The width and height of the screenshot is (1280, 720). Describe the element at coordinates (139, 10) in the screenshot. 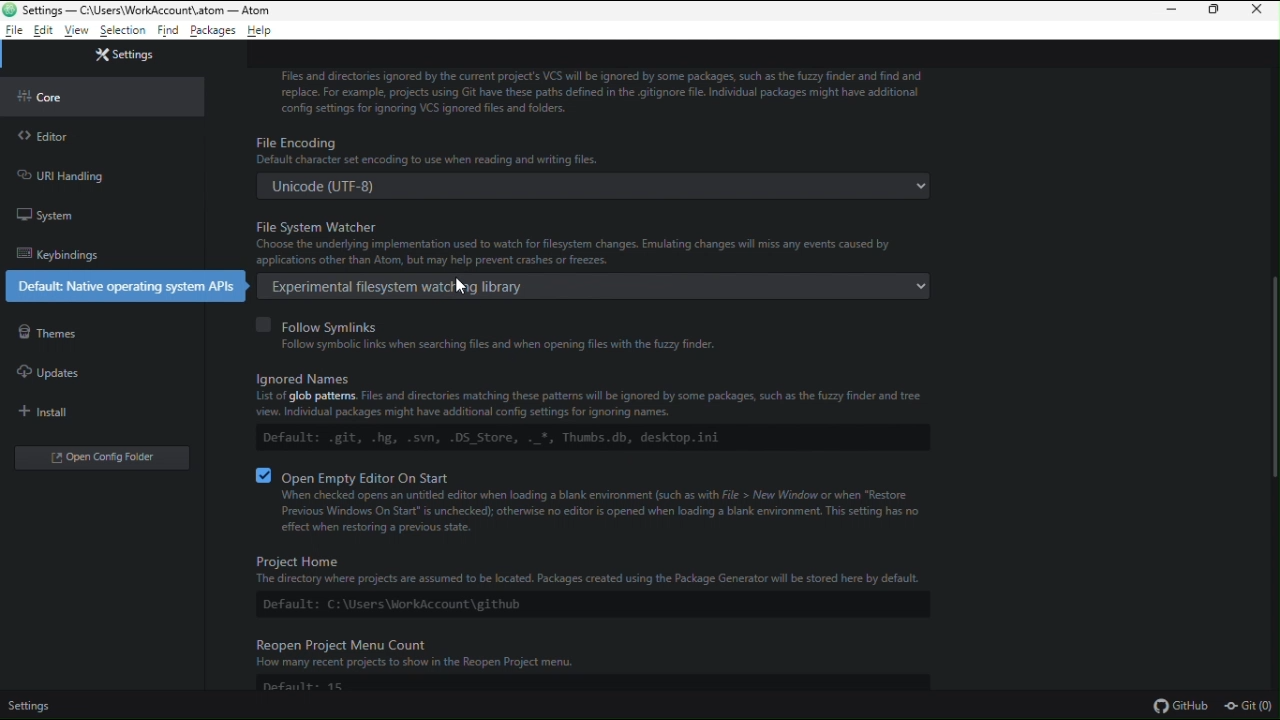

I see `file name and file path` at that location.